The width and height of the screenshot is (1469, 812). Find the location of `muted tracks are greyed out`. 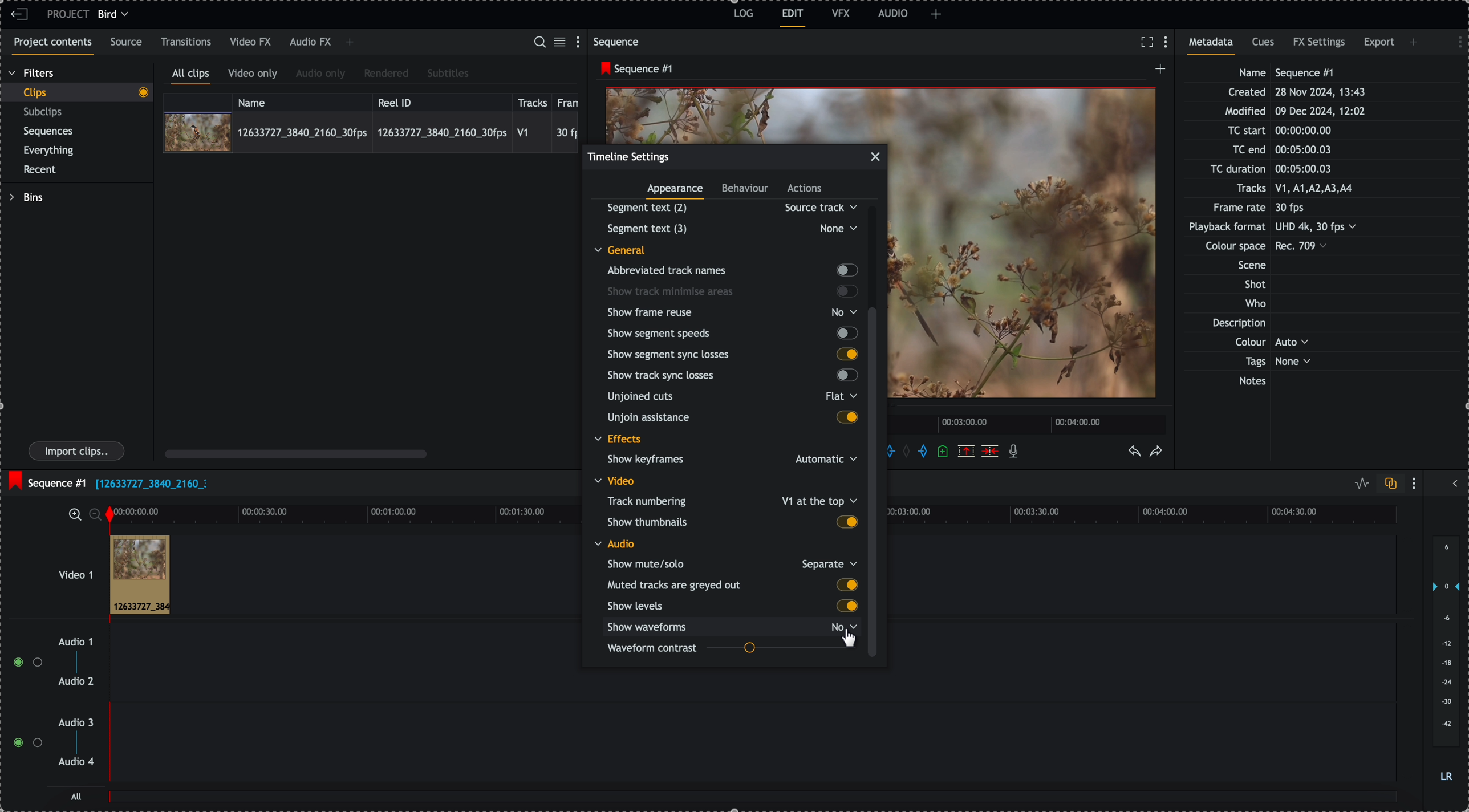

muted tracks are greyed out is located at coordinates (732, 585).